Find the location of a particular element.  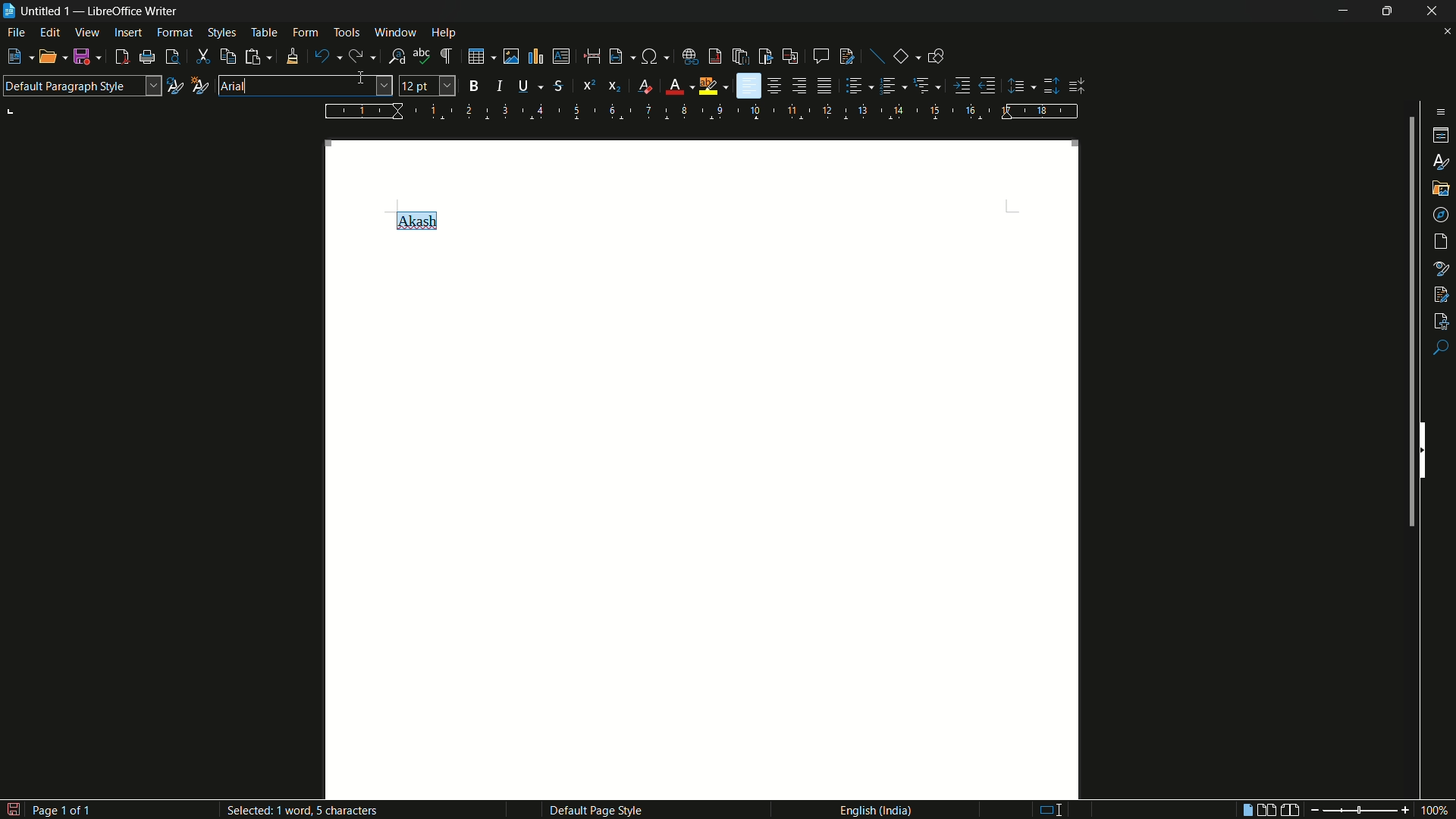

subscript is located at coordinates (616, 86).